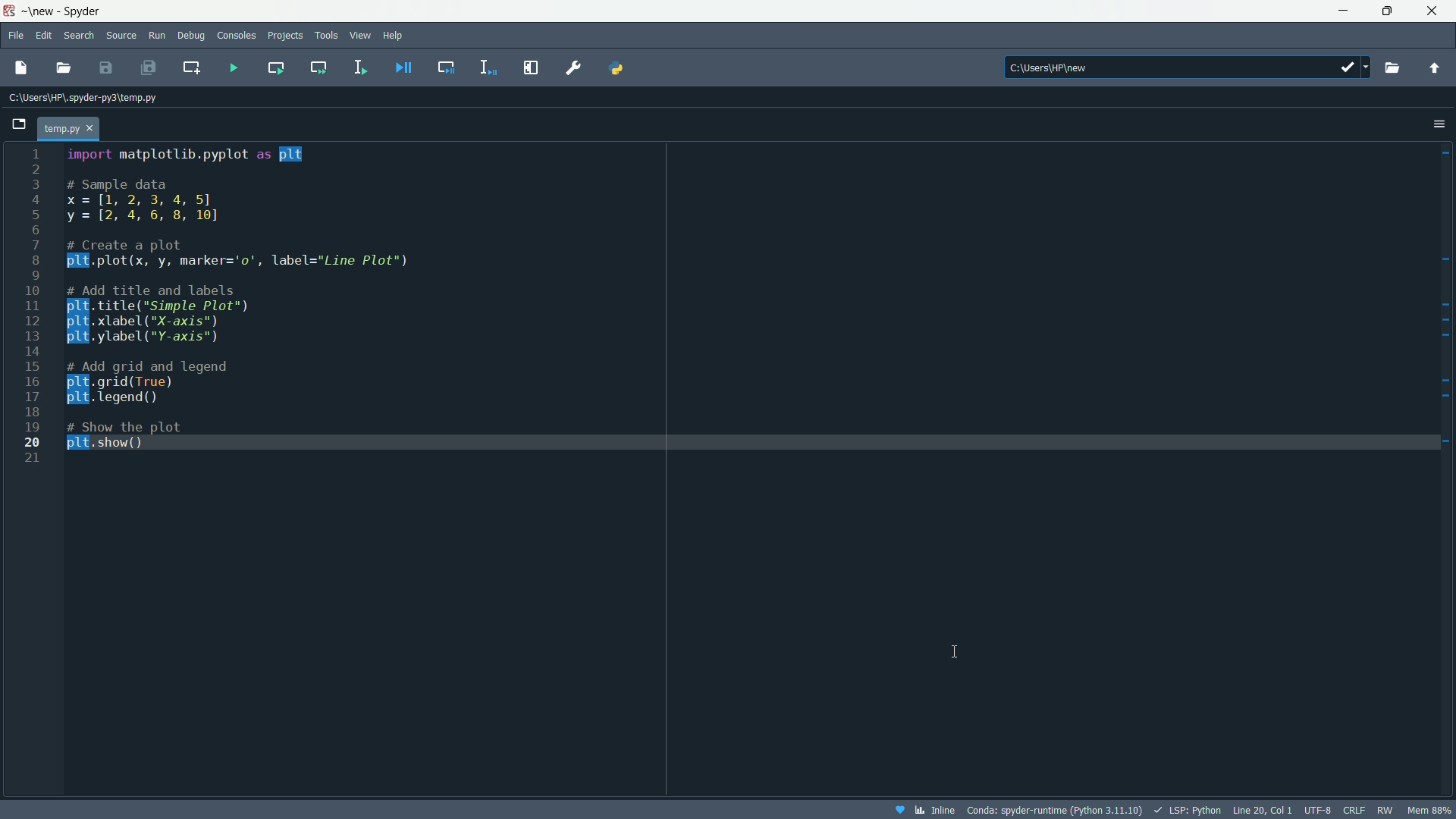  Describe the element at coordinates (489, 67) in the screenshot. I see `debug selection` at that location.